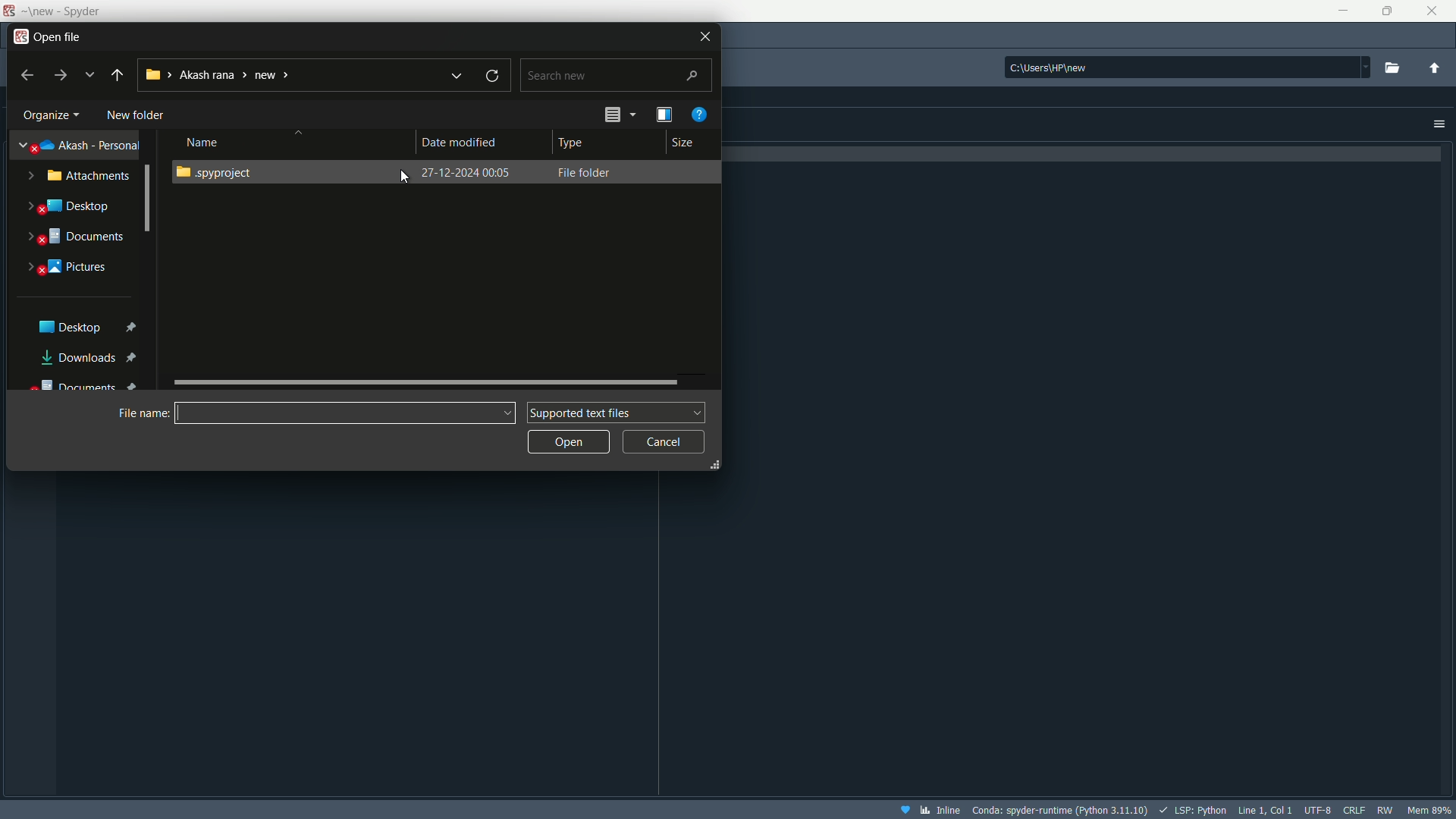 This screenshot has height=819, width=1456. What do you see at coordinates (1438, 123) in the screenshot?
I see `Options` at bounding box center [1438, 123].